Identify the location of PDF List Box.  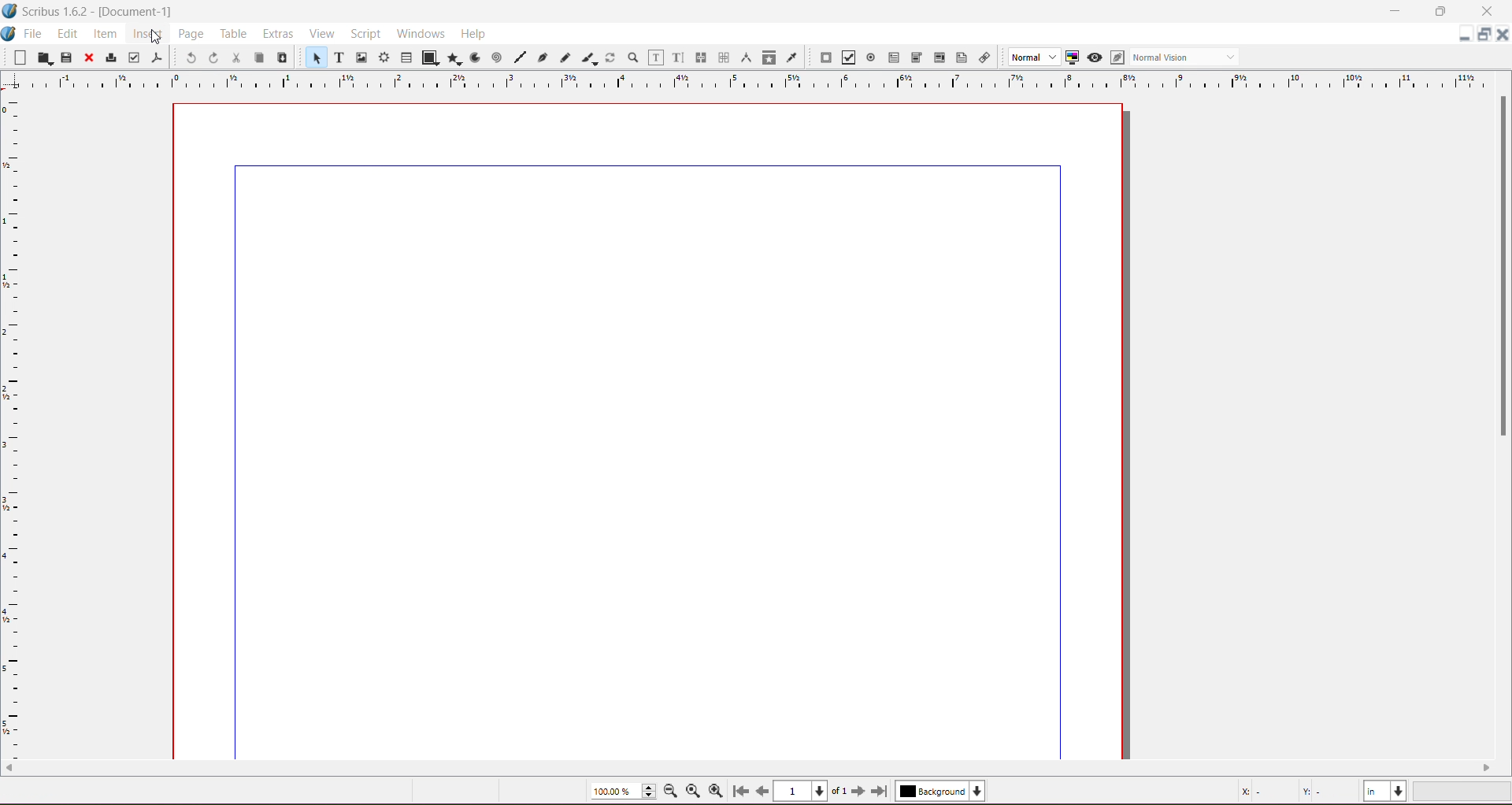
(939, 57).